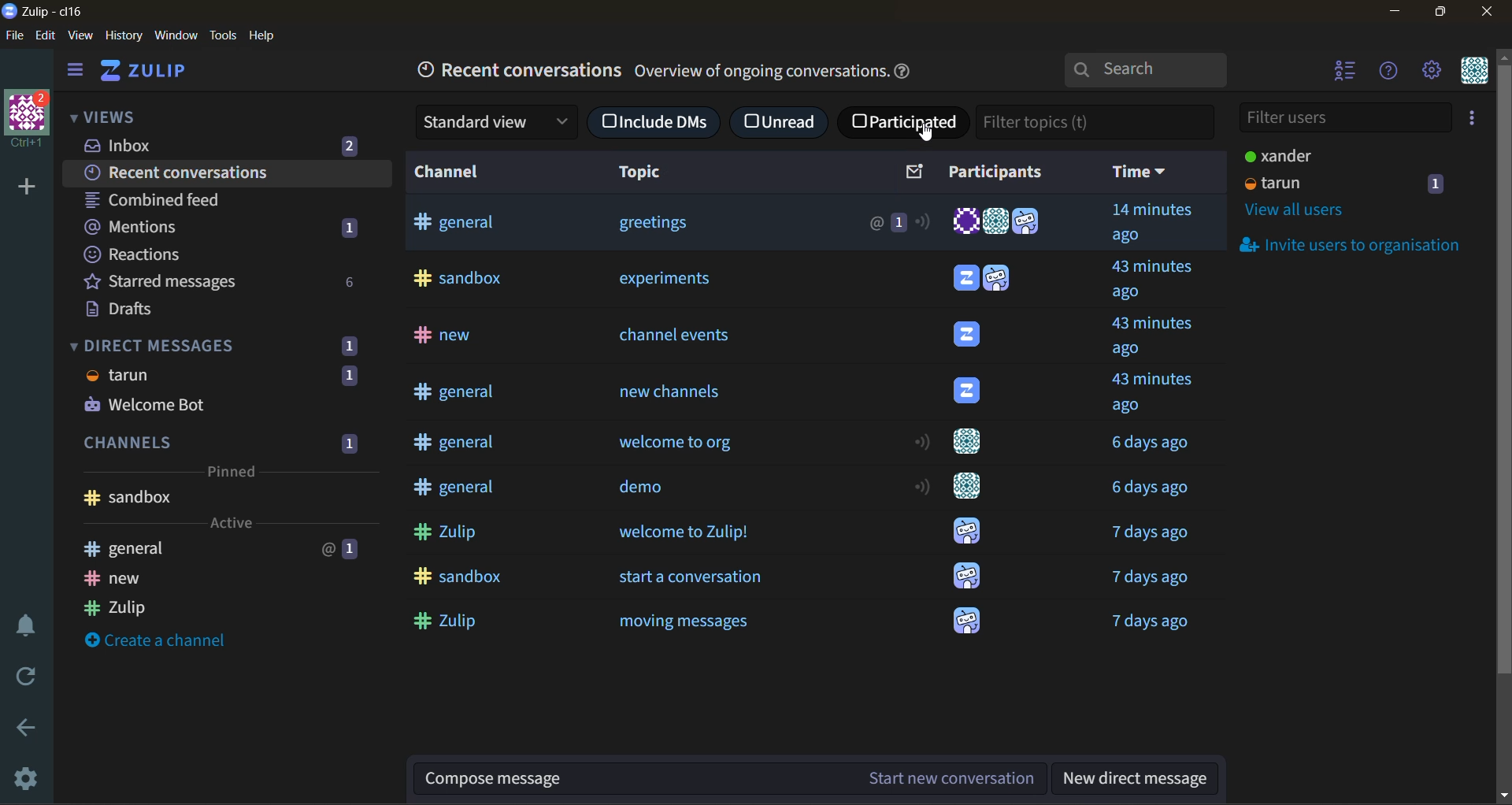 The image size is (1512, 805). I want to click on general, so click(461, 394).